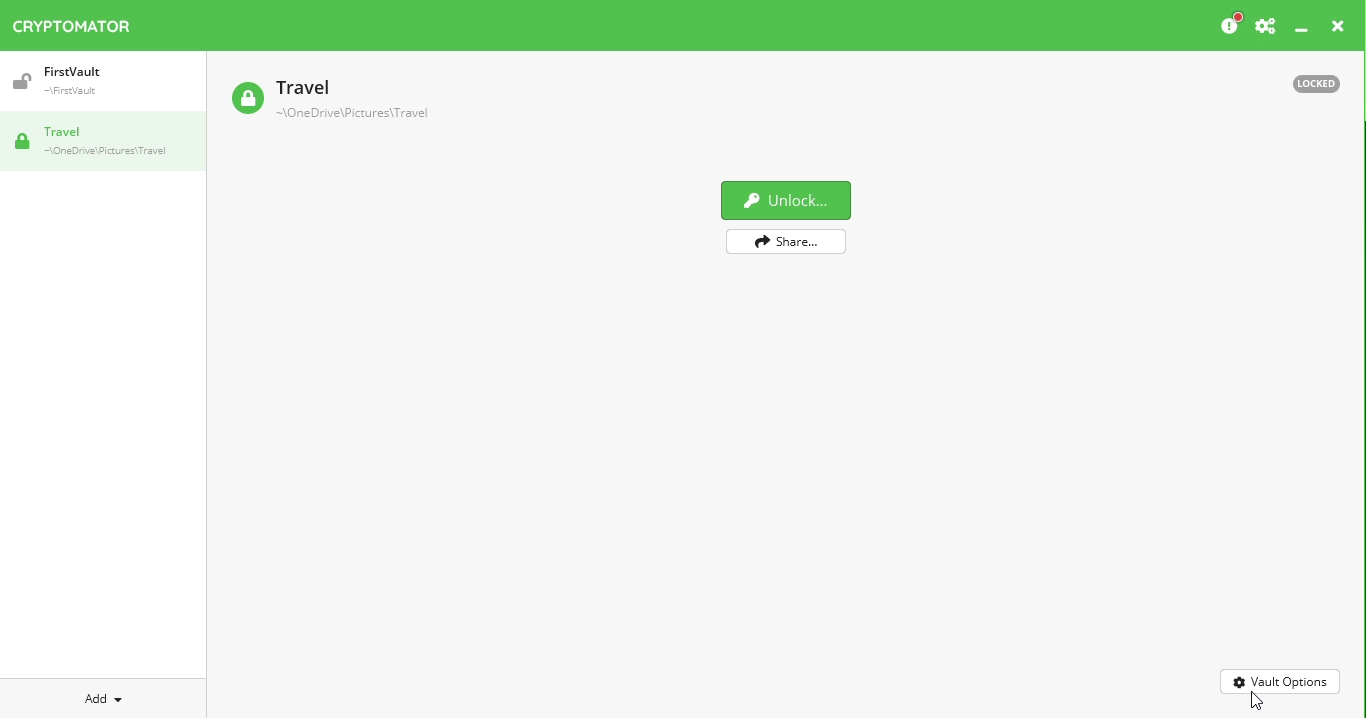 This screenshot has height=718, width=1366. I want to click on Add new vault, so click(96, 700).